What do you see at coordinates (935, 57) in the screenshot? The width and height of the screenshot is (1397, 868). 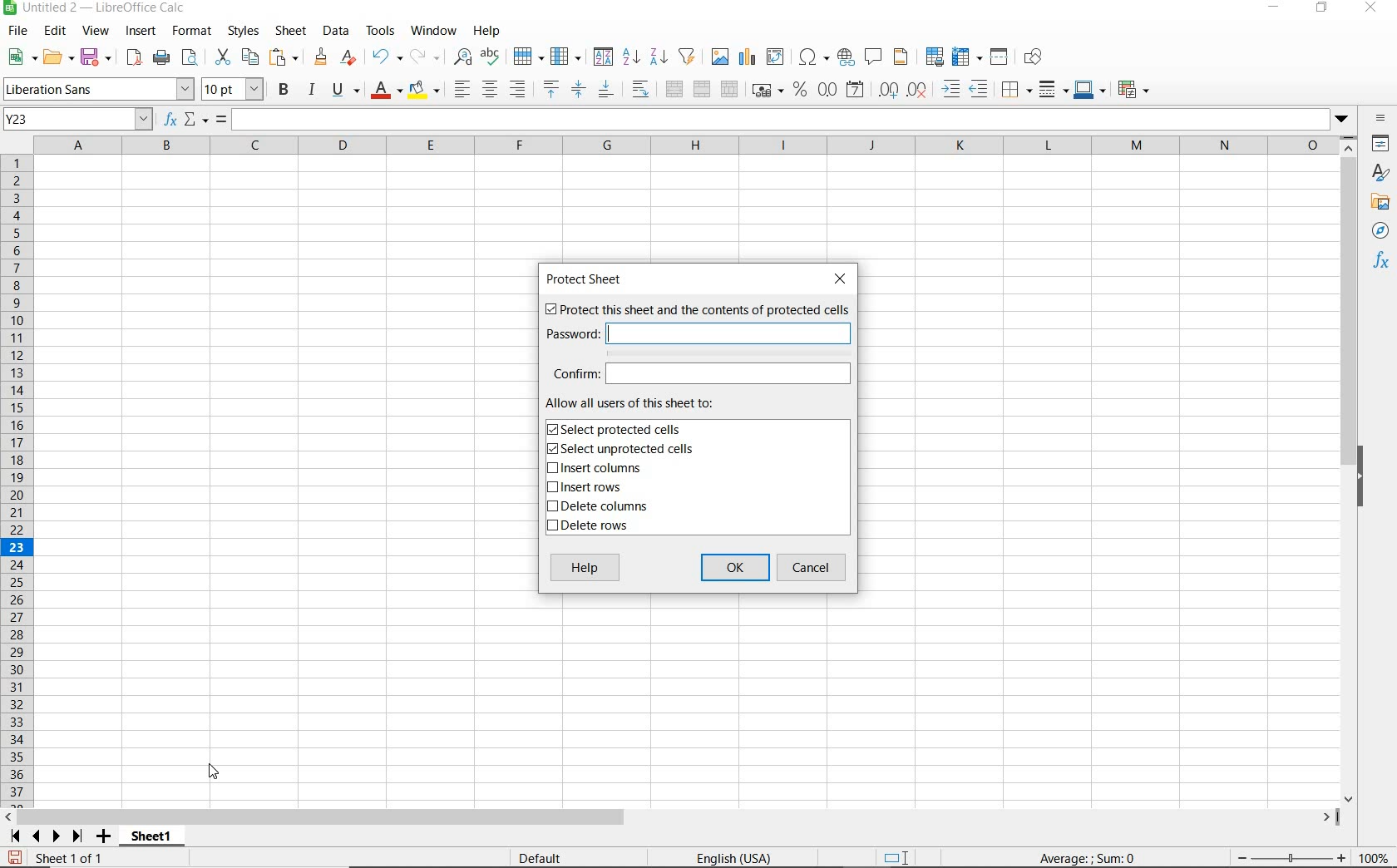 I see `DEFINE PRINT AREA` at bounding box center [935, 57].